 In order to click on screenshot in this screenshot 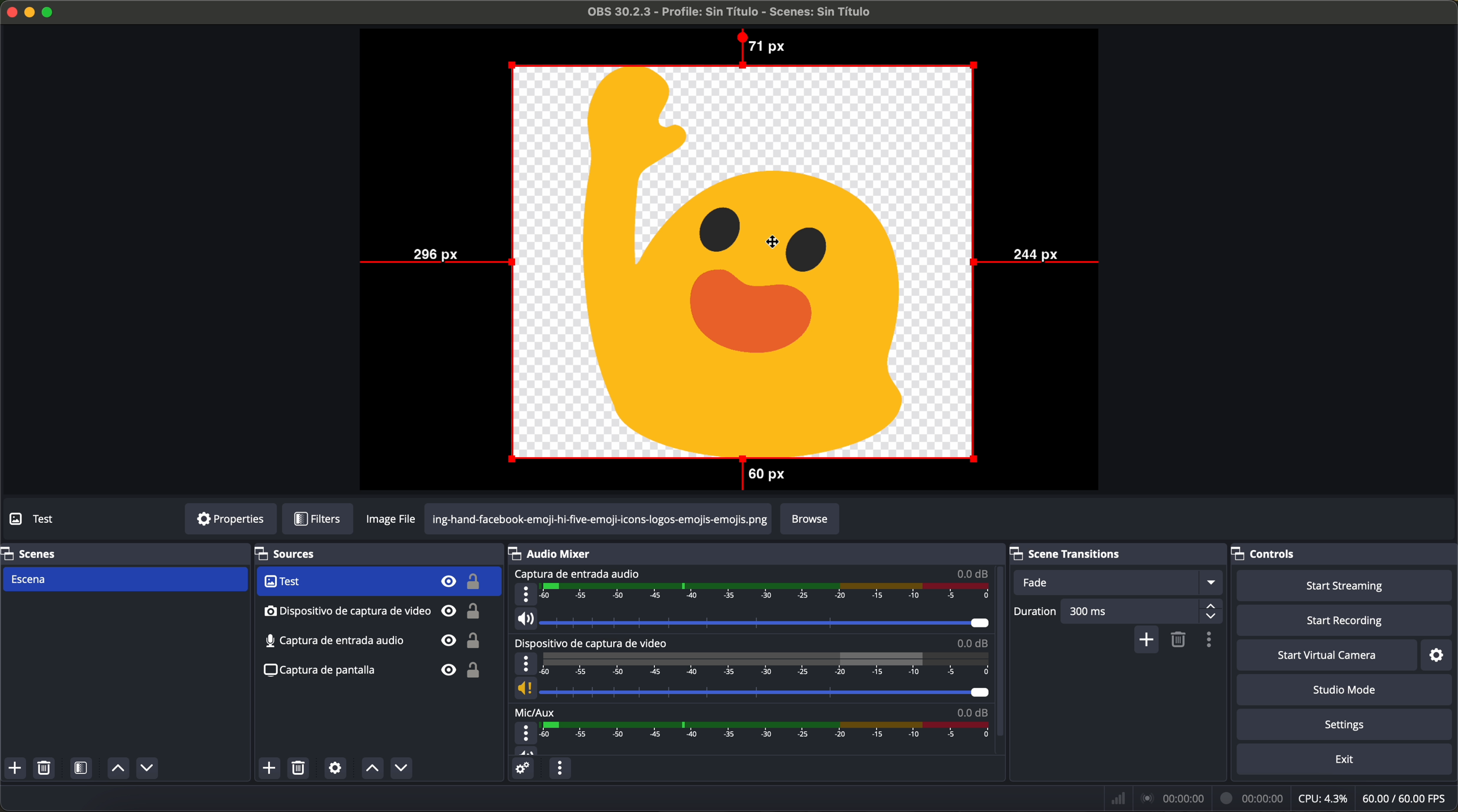, I will do `click(371, 675)`.